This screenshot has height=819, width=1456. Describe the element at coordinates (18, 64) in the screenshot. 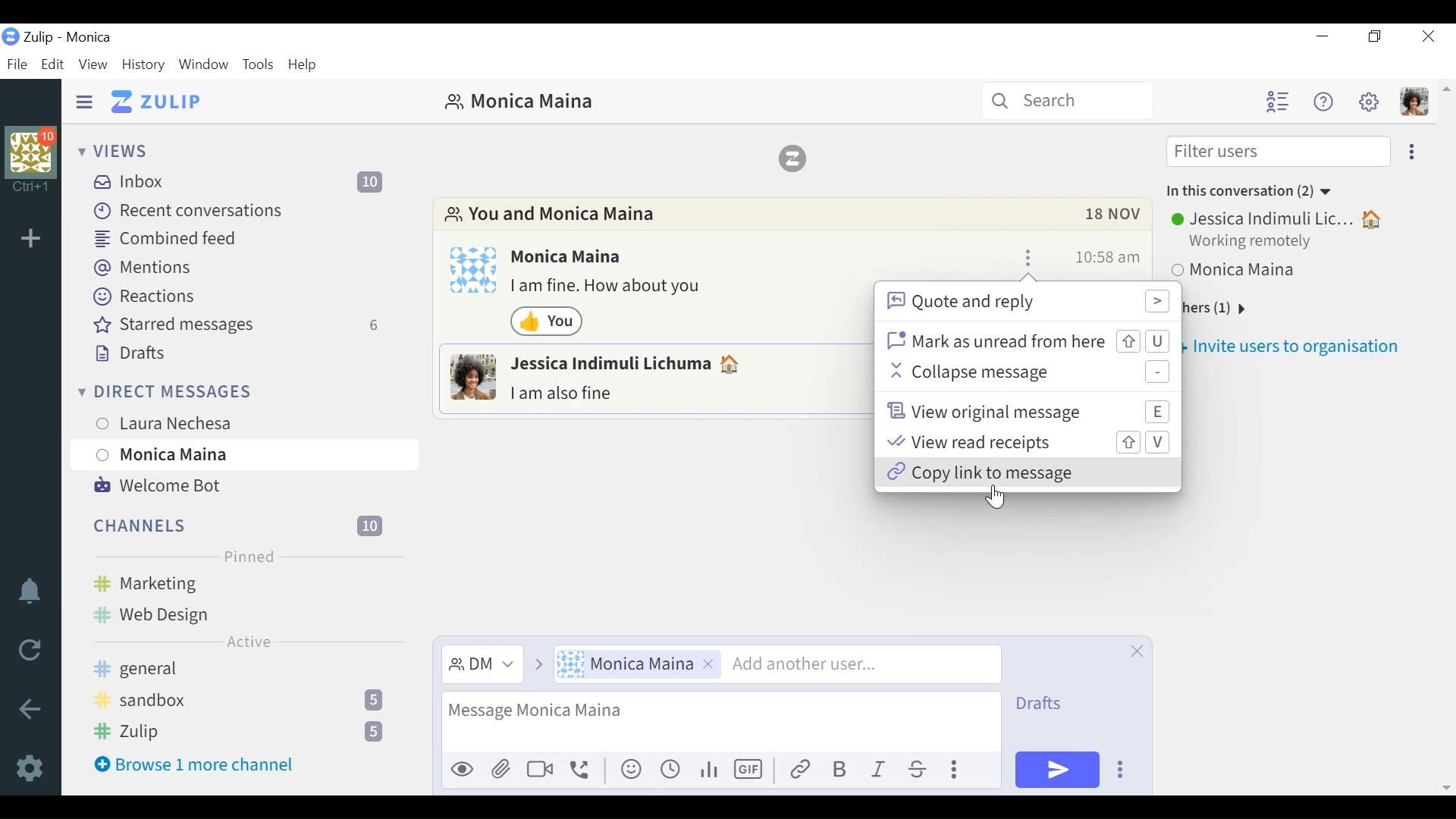

I see `File ` at that location.